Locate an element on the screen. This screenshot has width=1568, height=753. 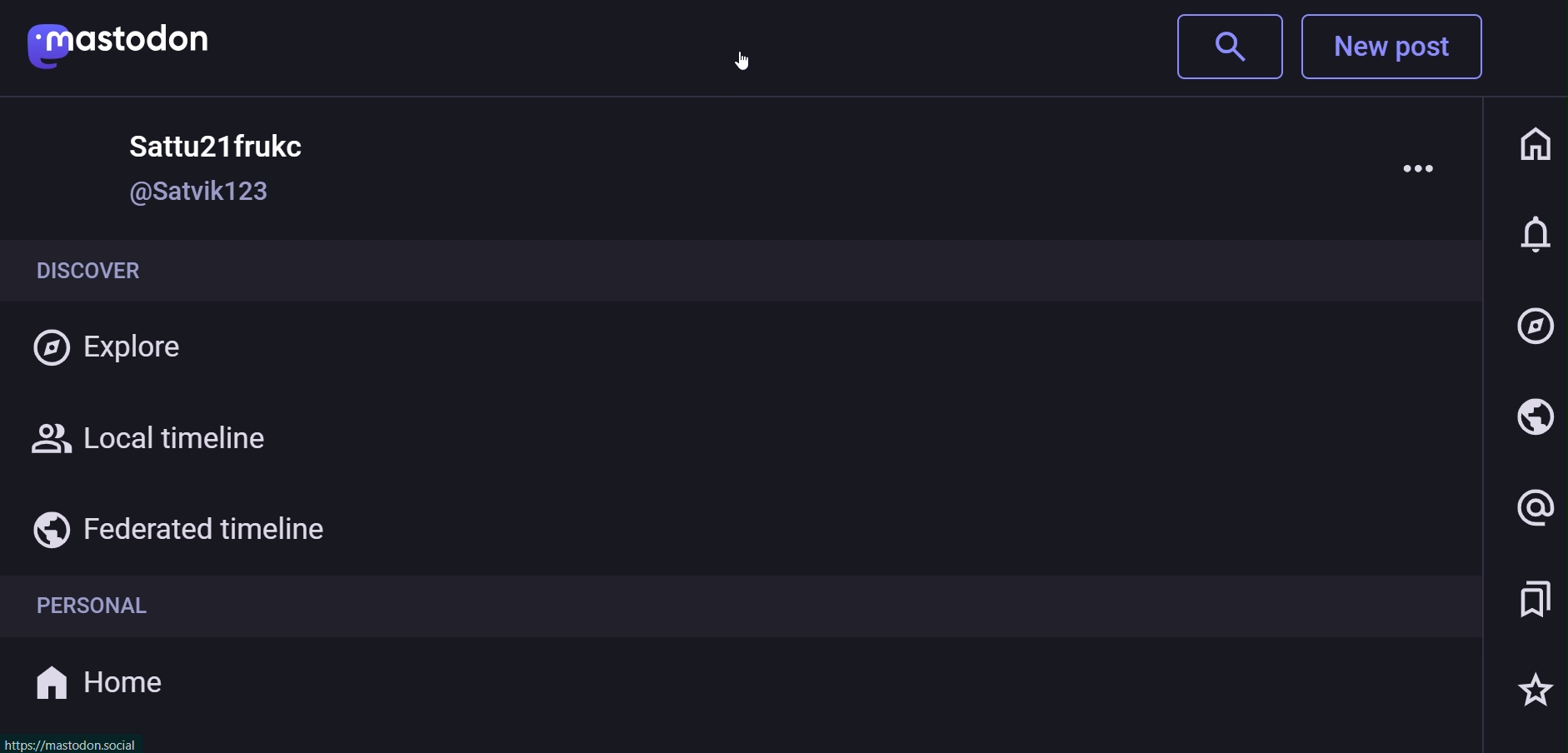
private mention is located at coordinates (1527, 508).